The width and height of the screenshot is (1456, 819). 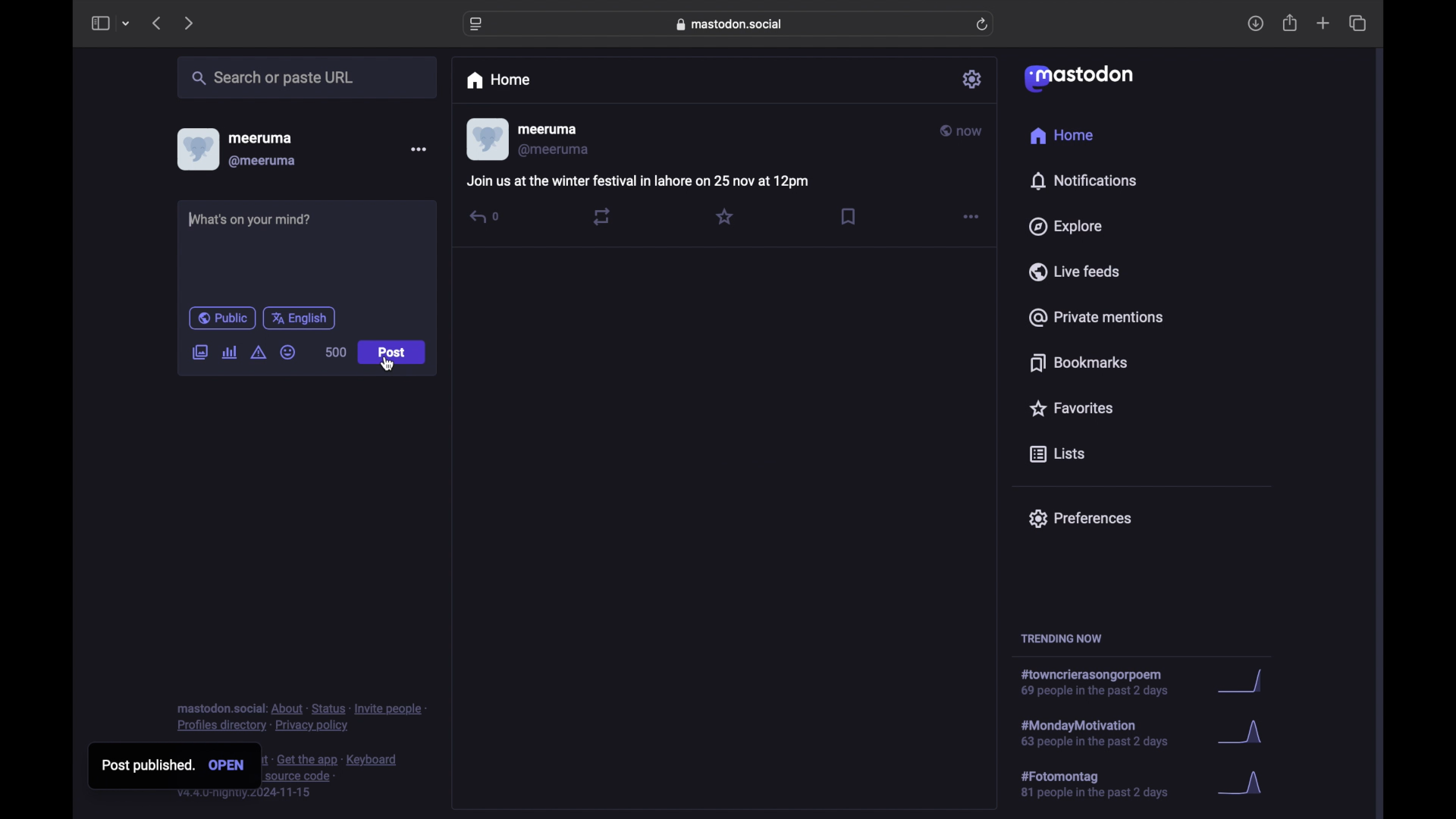 What do you see at coordinates (554, 150) in the screenshot?
I see `@meeruma` at bounding box center [554, 150].